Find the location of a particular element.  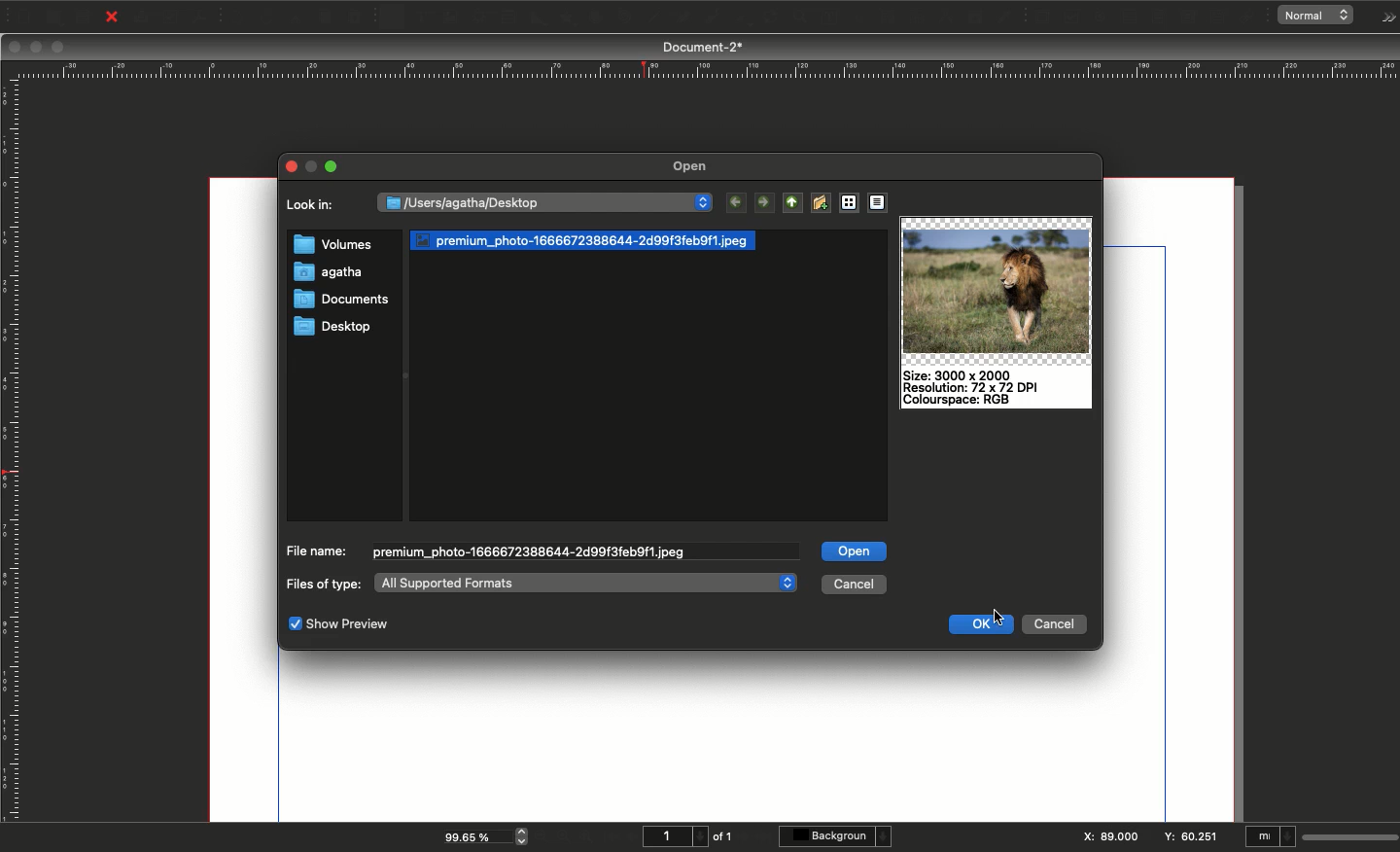

Zoom in or out is located at coordinates (773, 19).